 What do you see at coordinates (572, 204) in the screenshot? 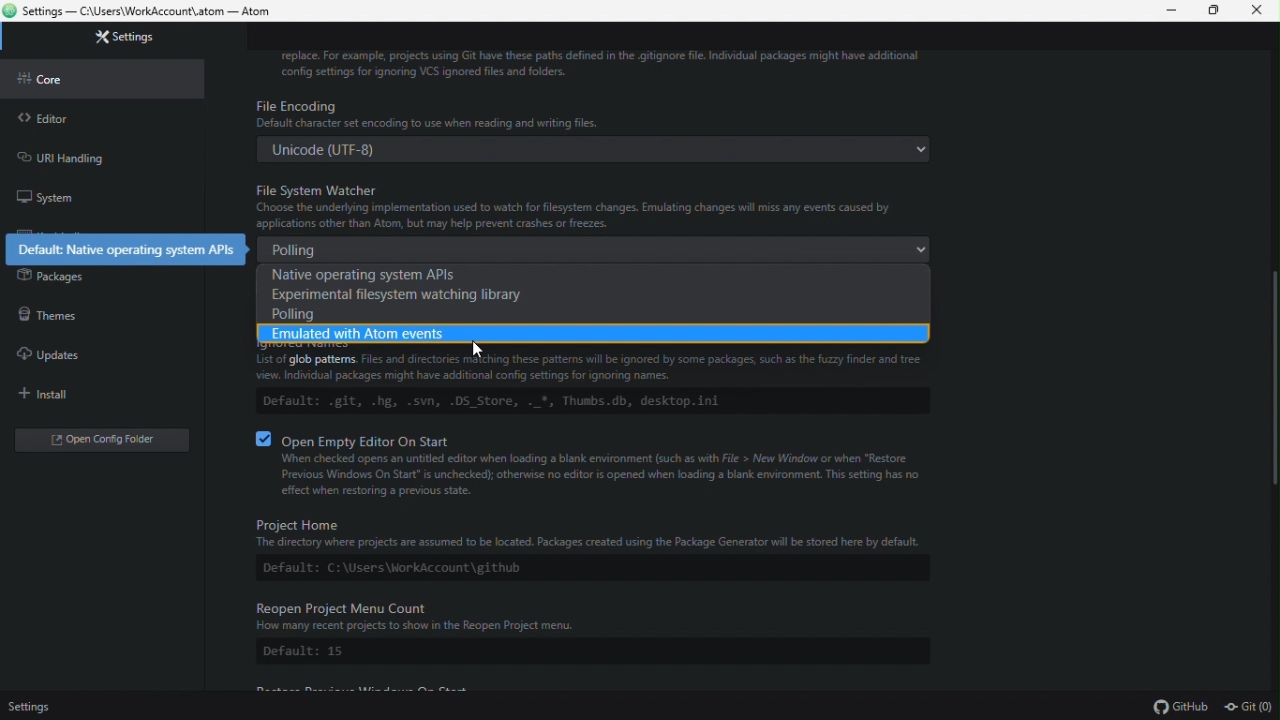
I see `File System Watcher Choose the underlying implementation used to watch for file system changes. Emulating changes will miss any events caused by applications other than Atom, but may help prevent crashes or freezes.` at bounding box center [572, 204].